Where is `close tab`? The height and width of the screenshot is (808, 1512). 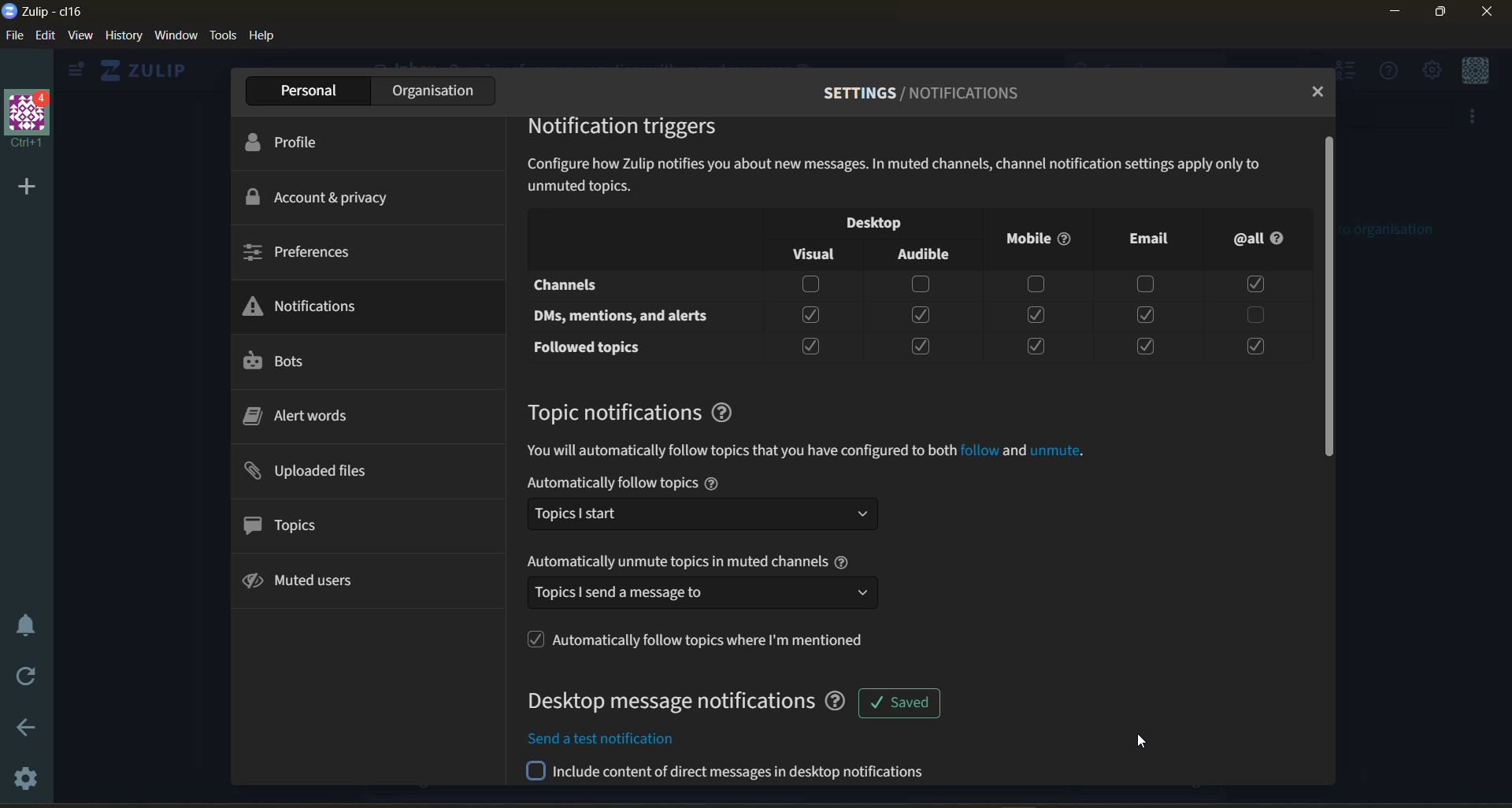 close tab is located at coordinates (1319, 93).